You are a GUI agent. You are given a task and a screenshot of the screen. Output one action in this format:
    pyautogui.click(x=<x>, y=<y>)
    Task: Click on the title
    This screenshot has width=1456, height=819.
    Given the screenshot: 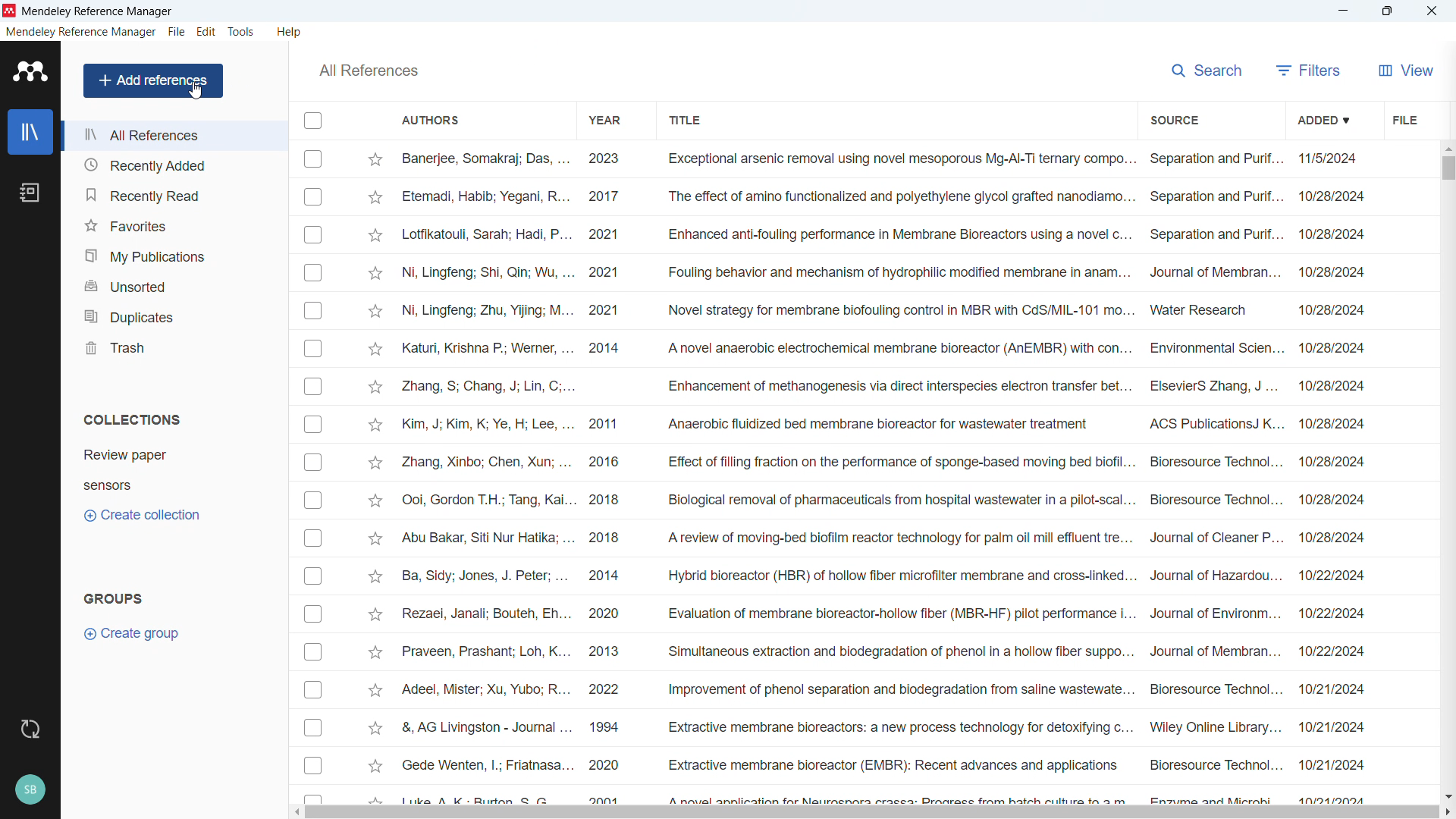 What is the action you would take?
    pyautogui.click(x=99, y=12)
    